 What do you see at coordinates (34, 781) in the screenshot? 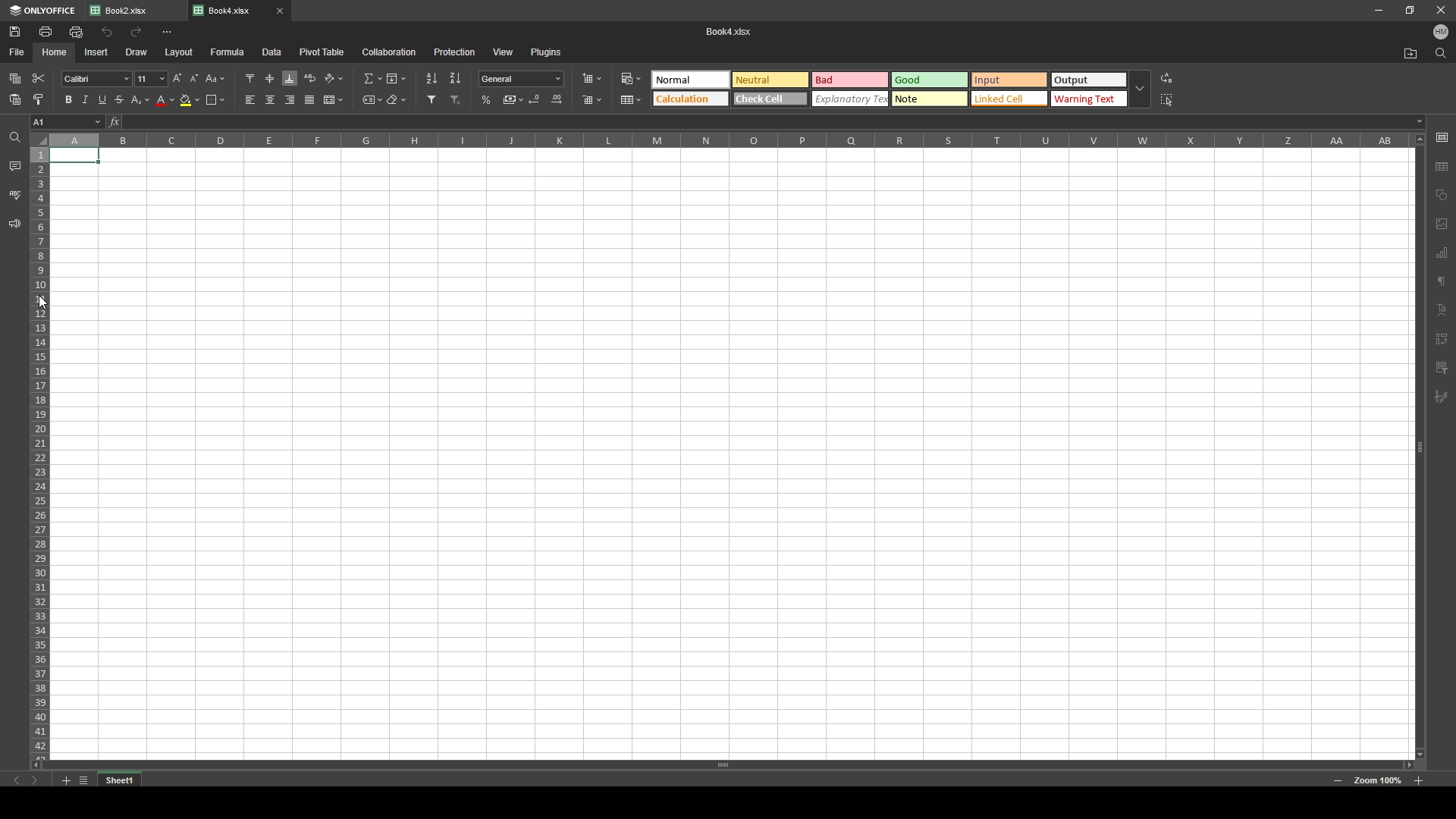
I see `next` at bounding box center [34, 781].